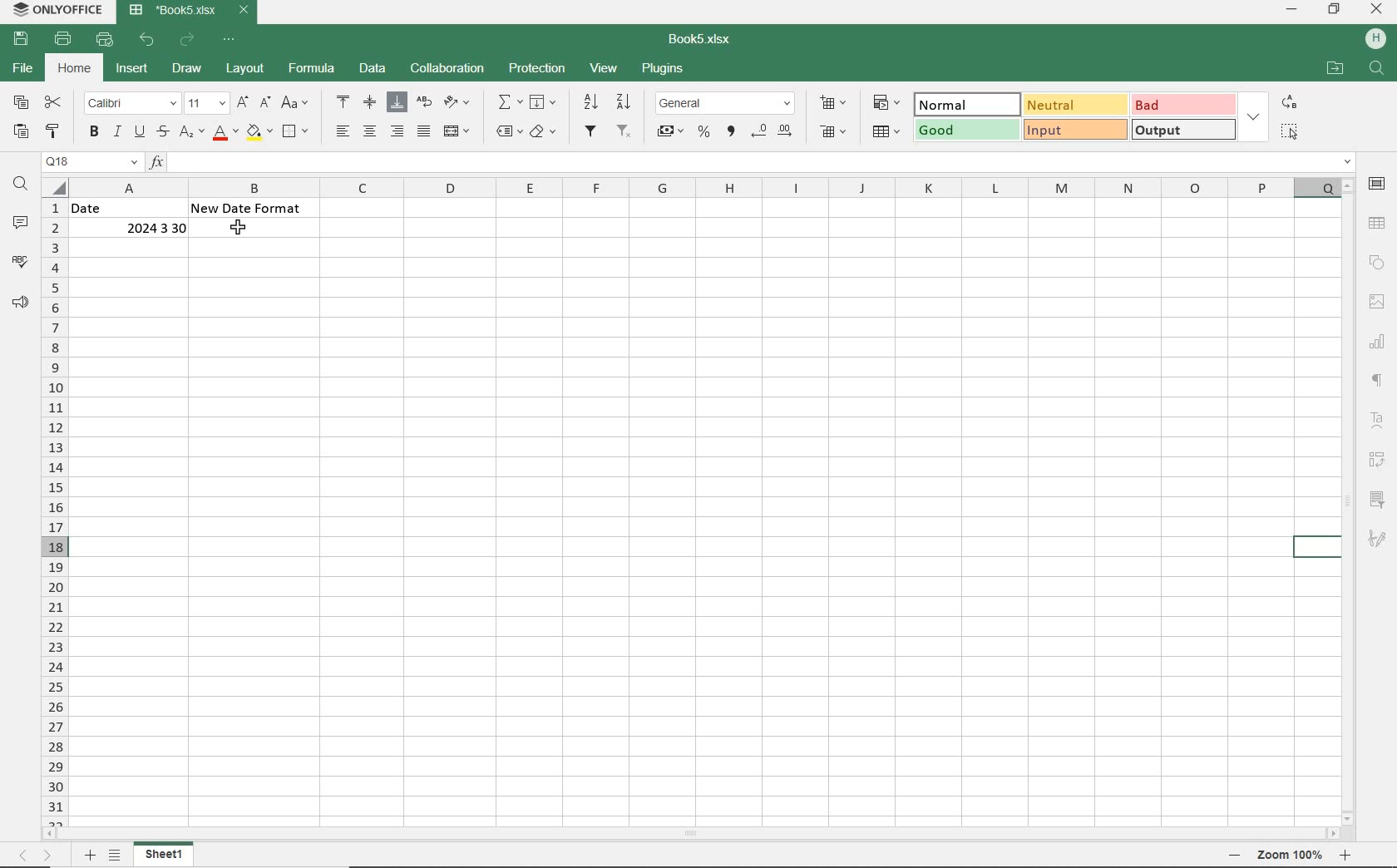 This screenshot has width=1397, height=868. Describe the element at coordinates (193, 133) in the screenshot. I see `SUBSCRIPT/SUPERSCRIPT` at that location.